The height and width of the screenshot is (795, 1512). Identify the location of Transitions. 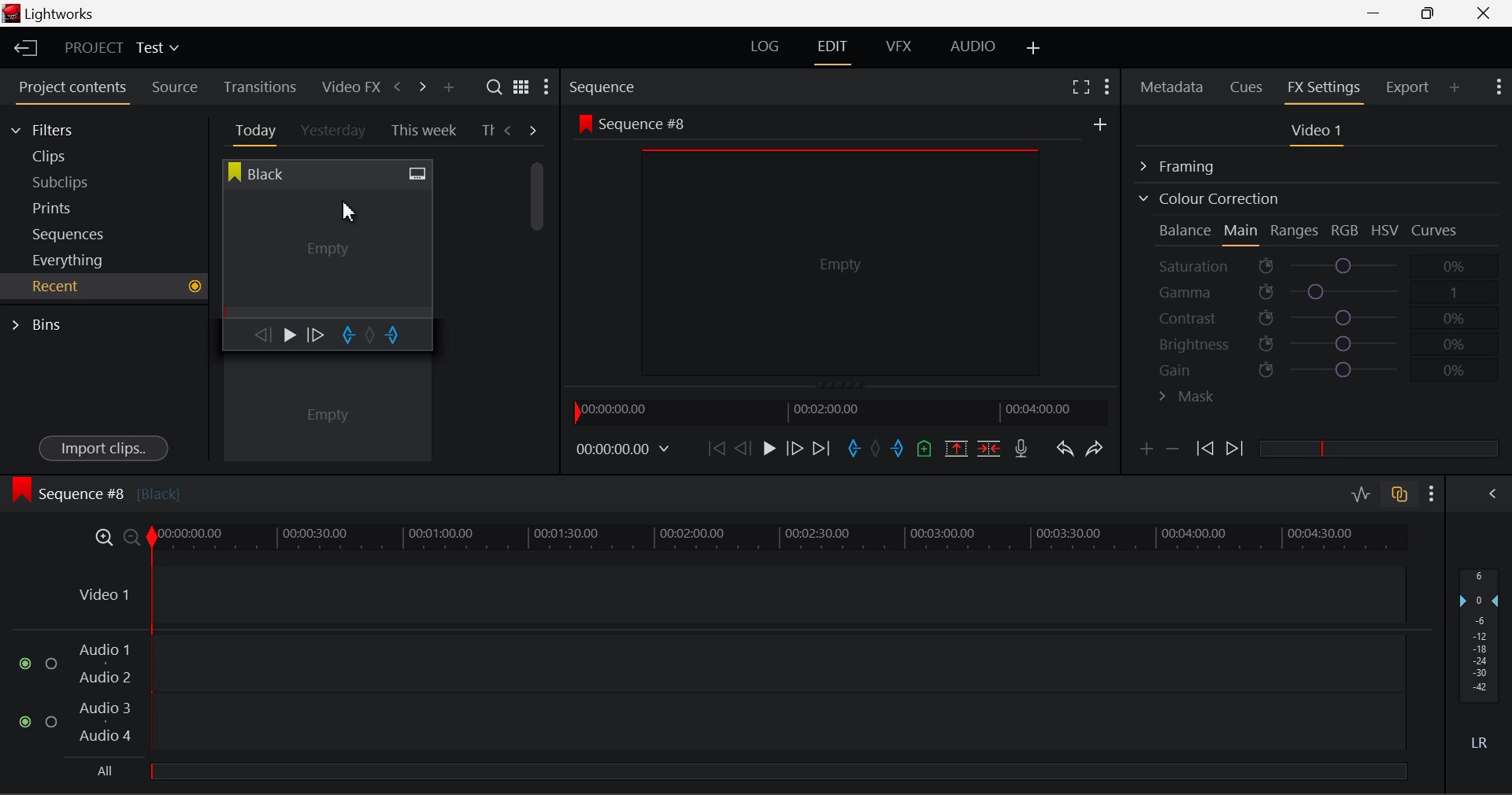
(260, 87).